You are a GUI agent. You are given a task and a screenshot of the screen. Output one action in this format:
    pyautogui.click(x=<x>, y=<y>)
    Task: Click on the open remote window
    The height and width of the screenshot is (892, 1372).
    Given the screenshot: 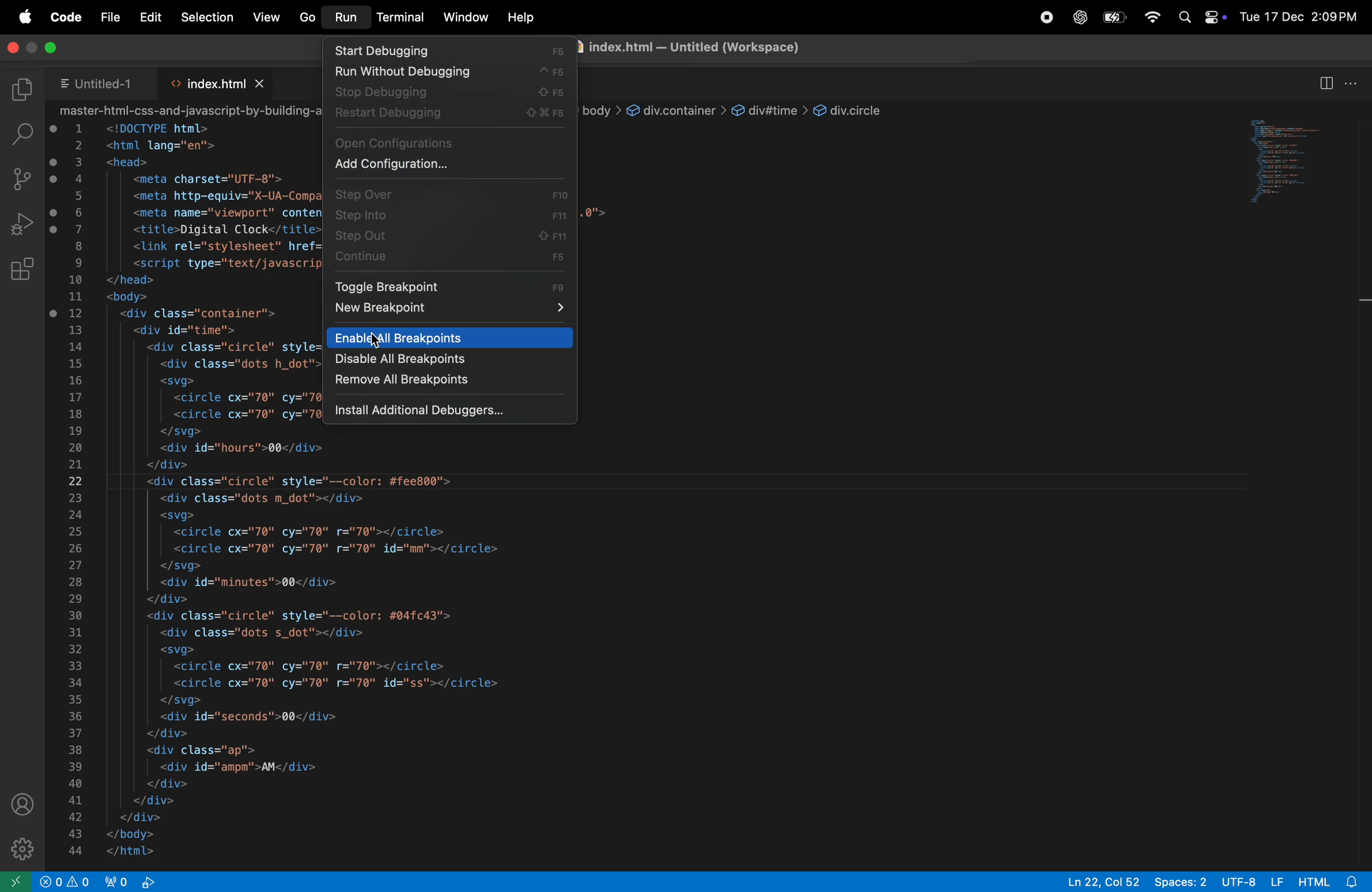 What is the action you would take?
    pyautogui.click(x=16, y=880)
    